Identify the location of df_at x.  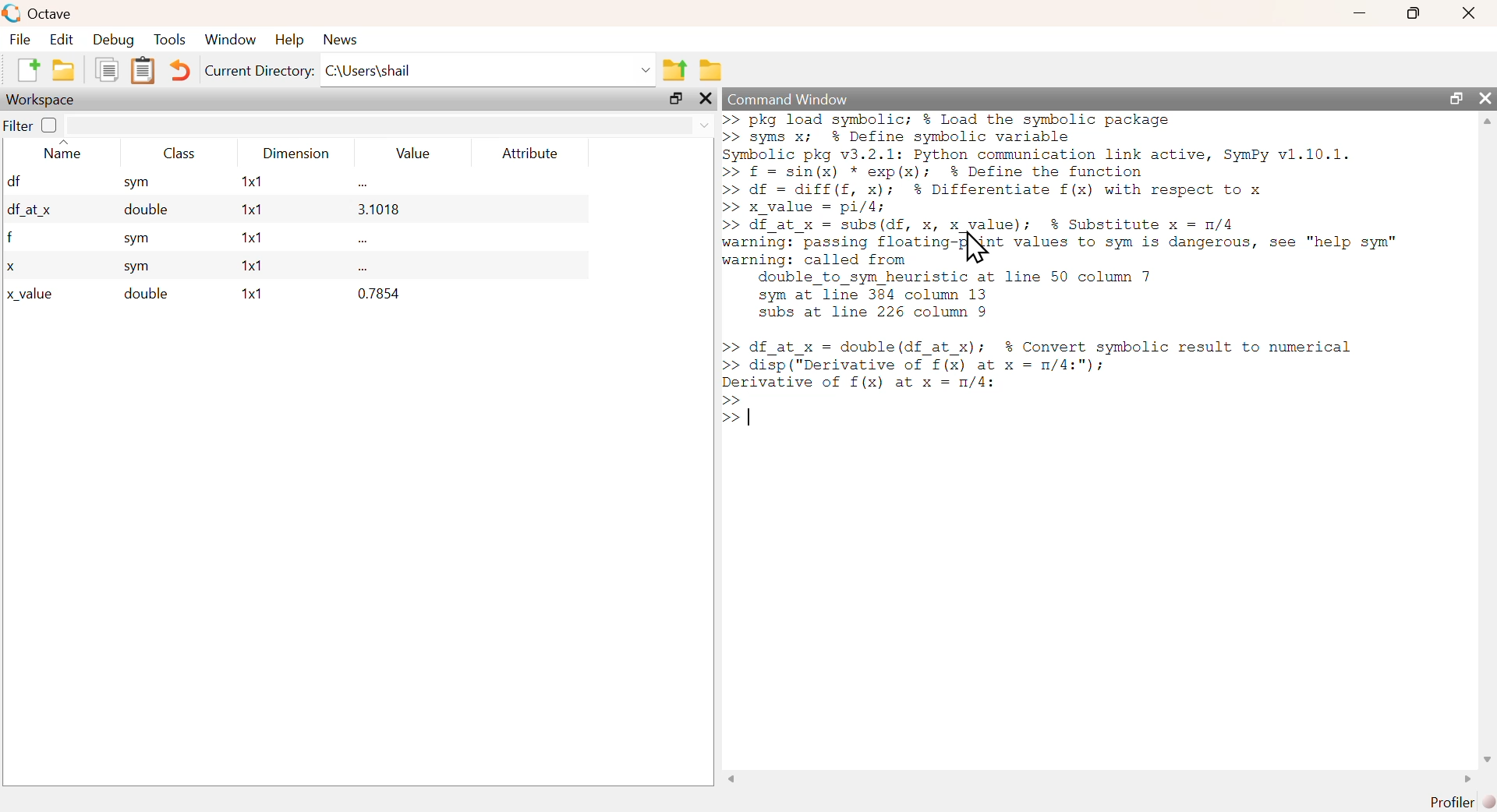
(30, 212).